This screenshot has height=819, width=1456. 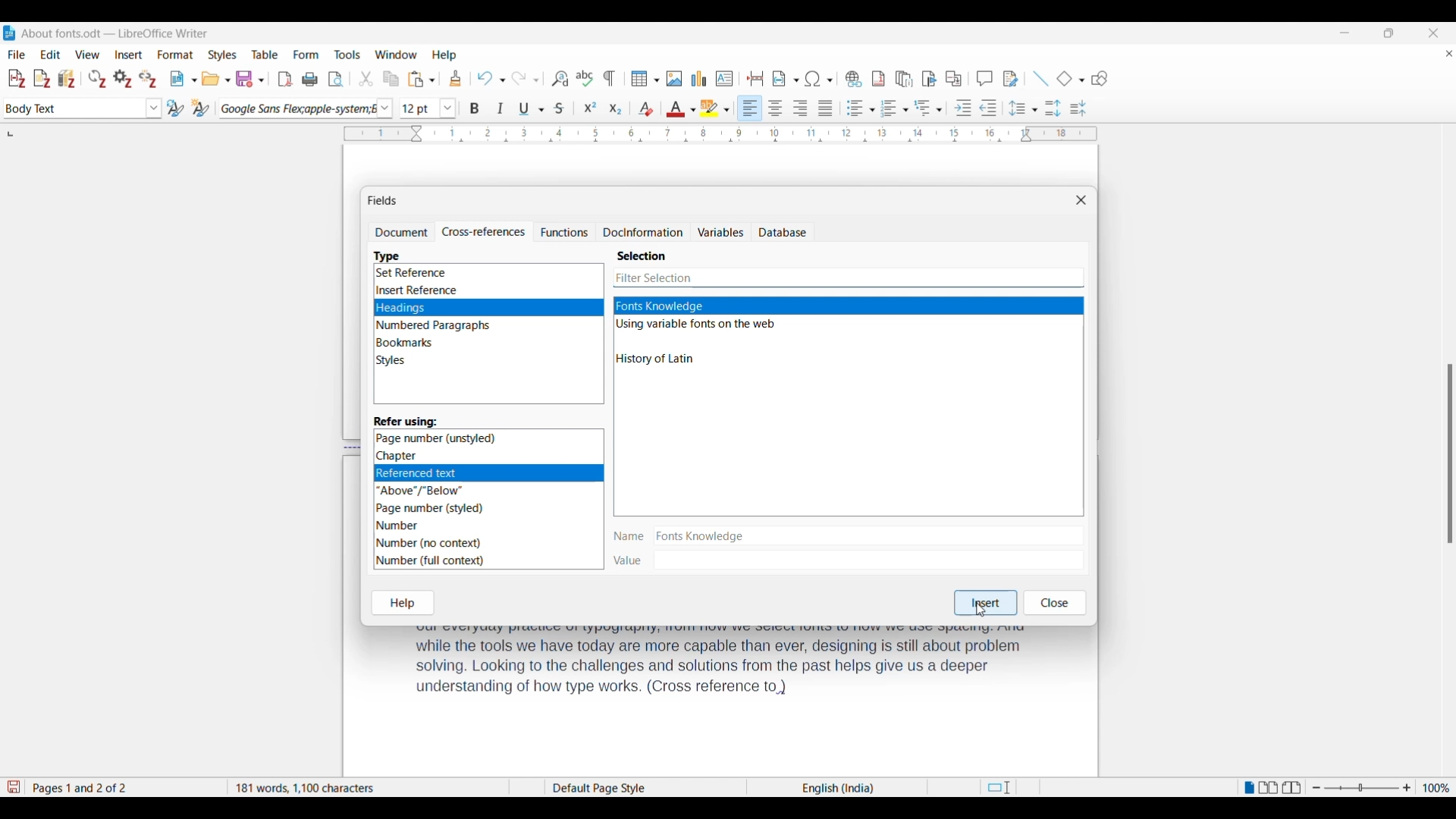 What do you see at coordinates (800, 108) in the screenshot?
I see `Align right` at bounding box center [800, 108].